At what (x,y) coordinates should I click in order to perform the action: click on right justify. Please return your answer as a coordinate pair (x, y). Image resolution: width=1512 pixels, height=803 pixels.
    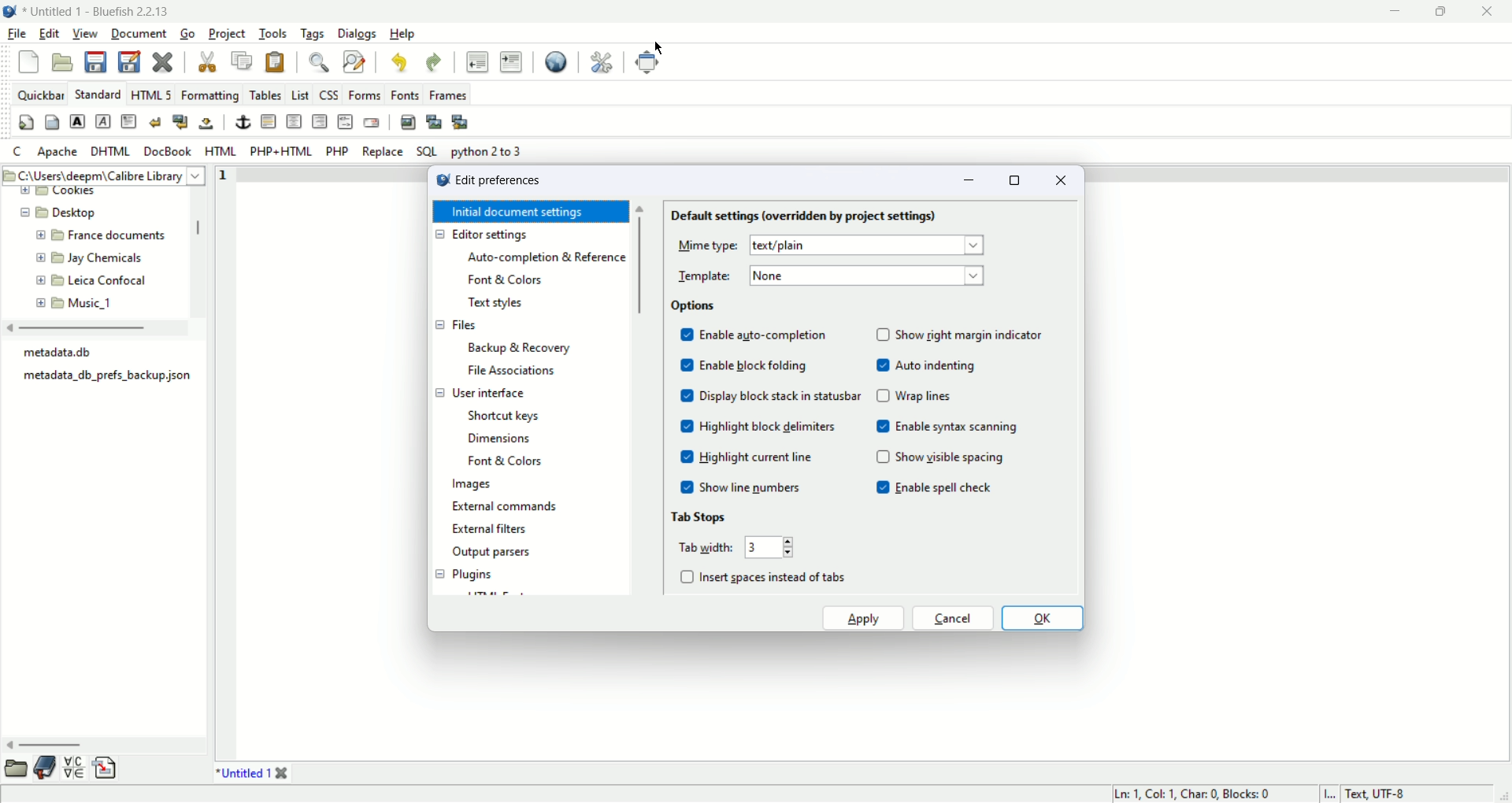
    Looking at the image, I should click on (318, 122).